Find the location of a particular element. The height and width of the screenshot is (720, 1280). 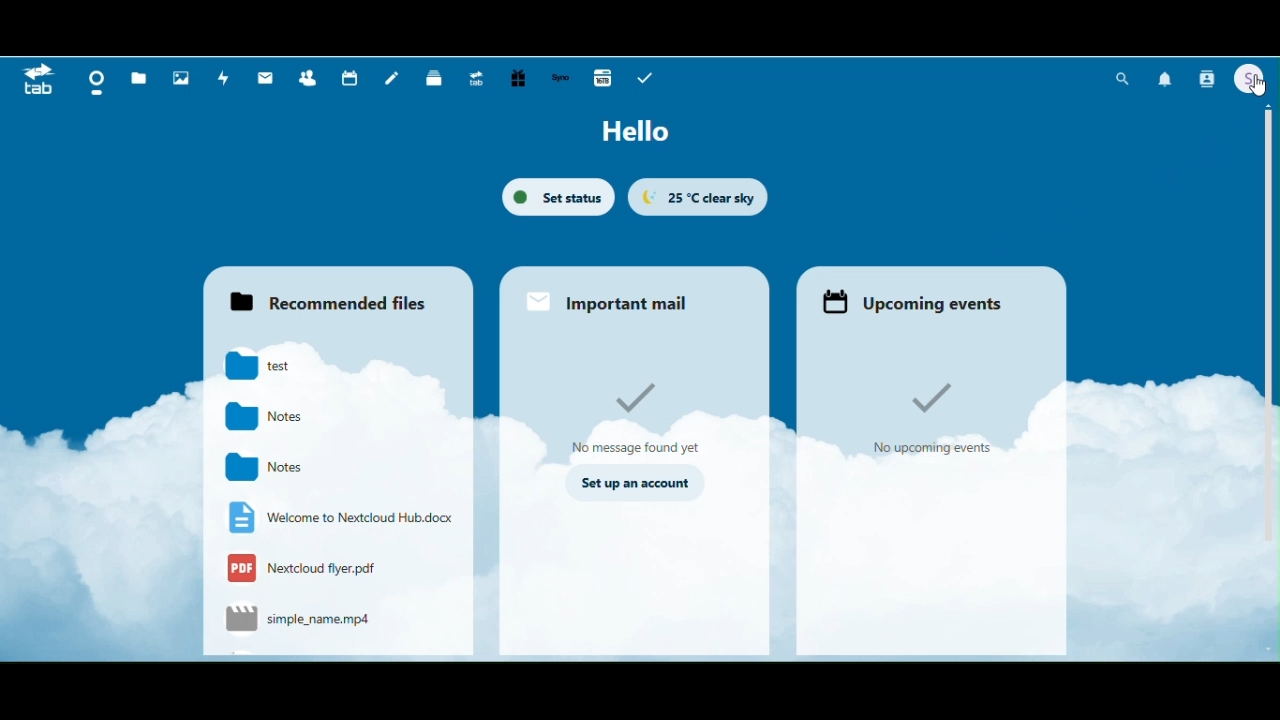

Nextcloud fiyer.pdf is located at coordinates (313, 570).